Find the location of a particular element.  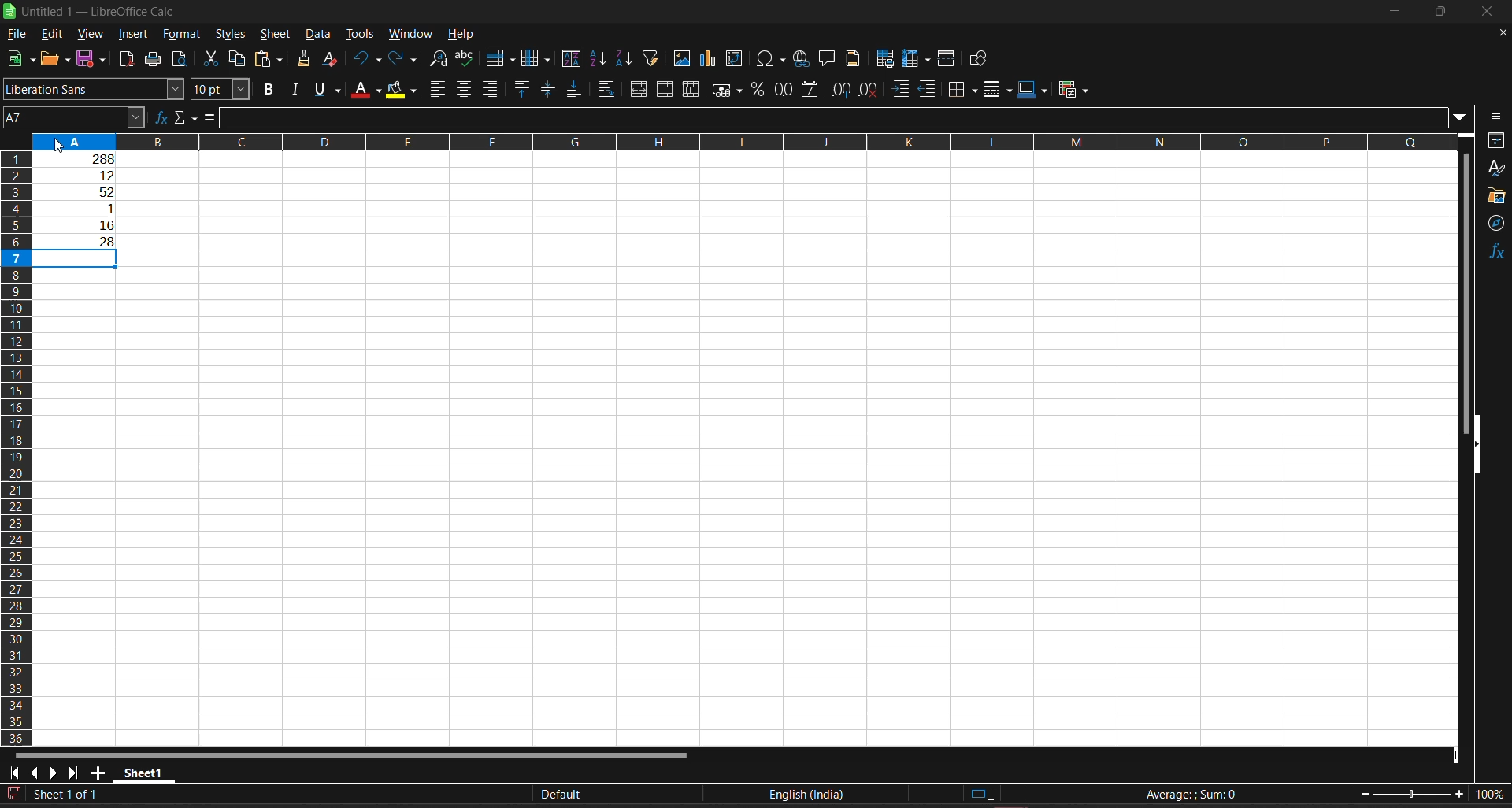

data is located at coordinates (319, 36).